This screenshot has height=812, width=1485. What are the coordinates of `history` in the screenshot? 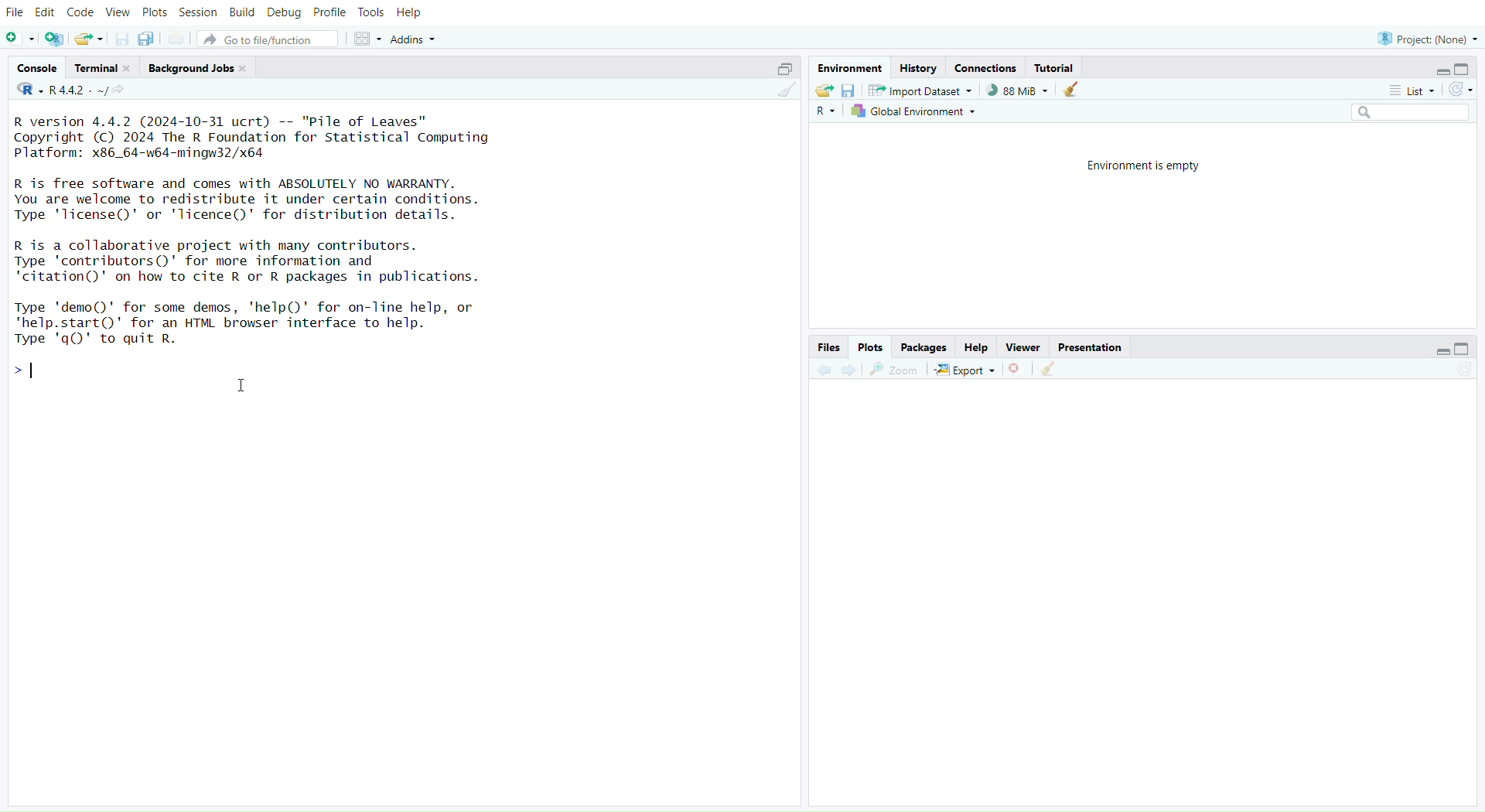 It's located at (918, 68).